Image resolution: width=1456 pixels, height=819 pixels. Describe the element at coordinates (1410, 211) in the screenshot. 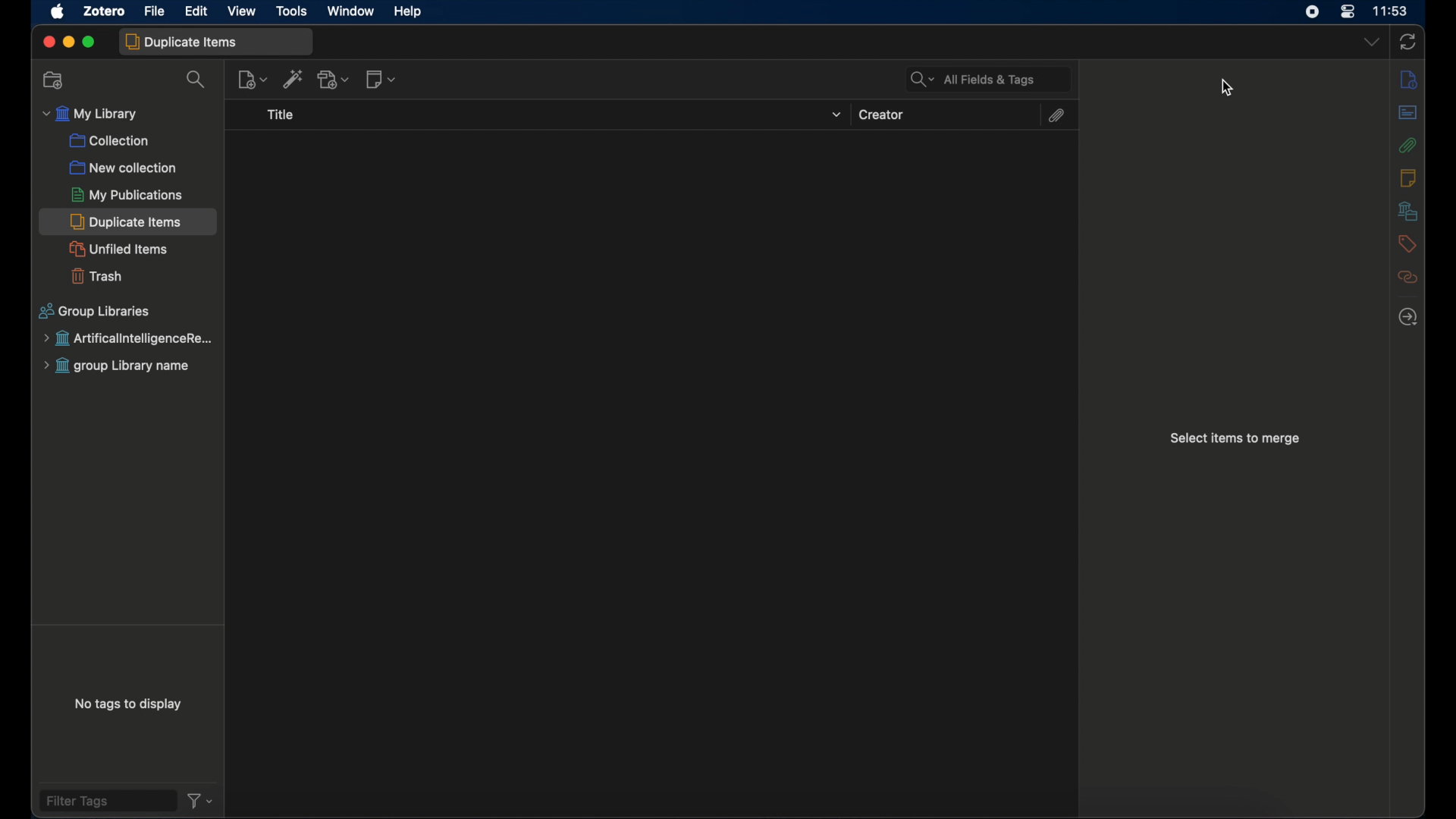

I see `libraries and collections` at that location.